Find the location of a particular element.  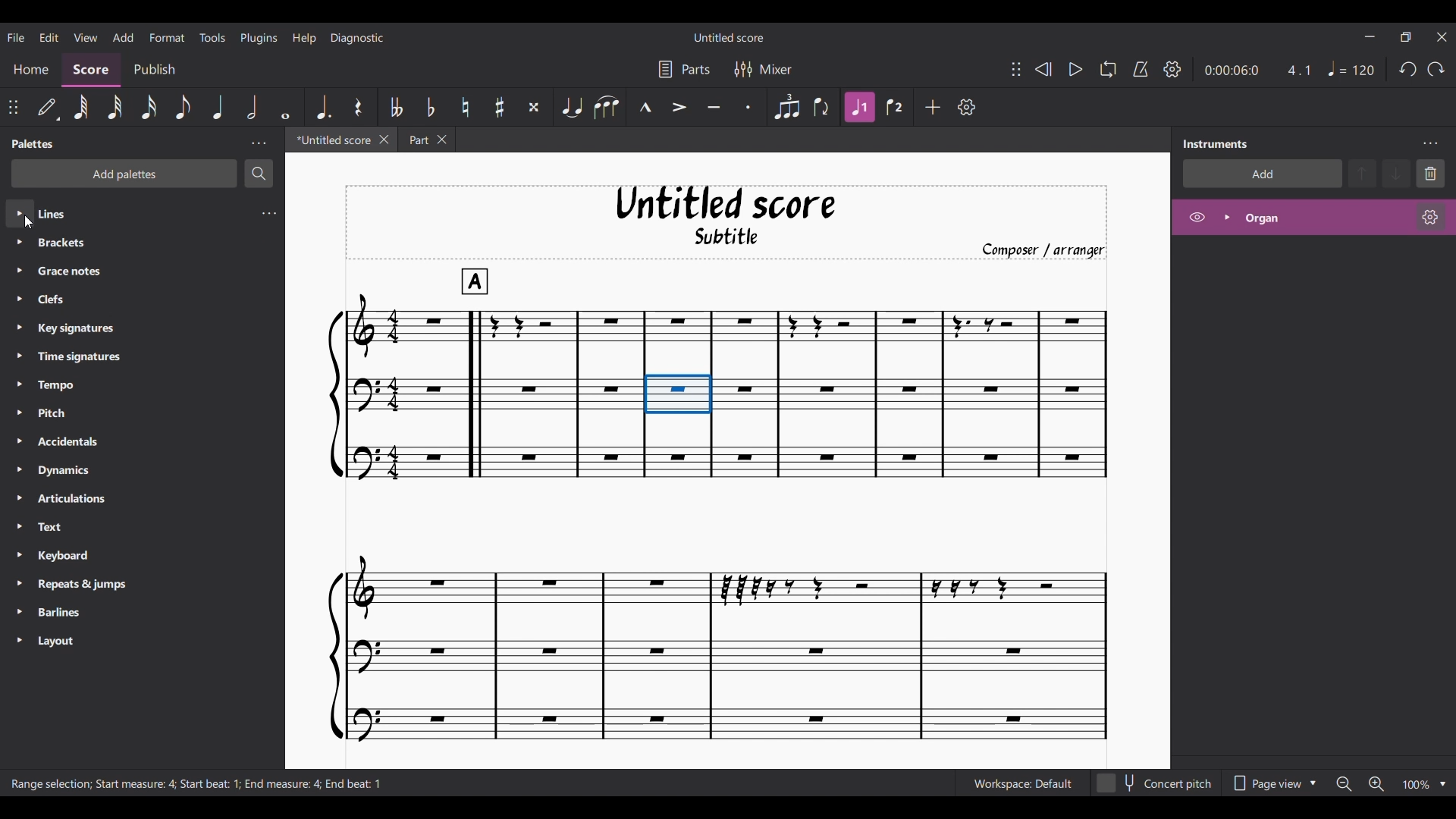

Add instruments is located at coordinates (1263, 174).